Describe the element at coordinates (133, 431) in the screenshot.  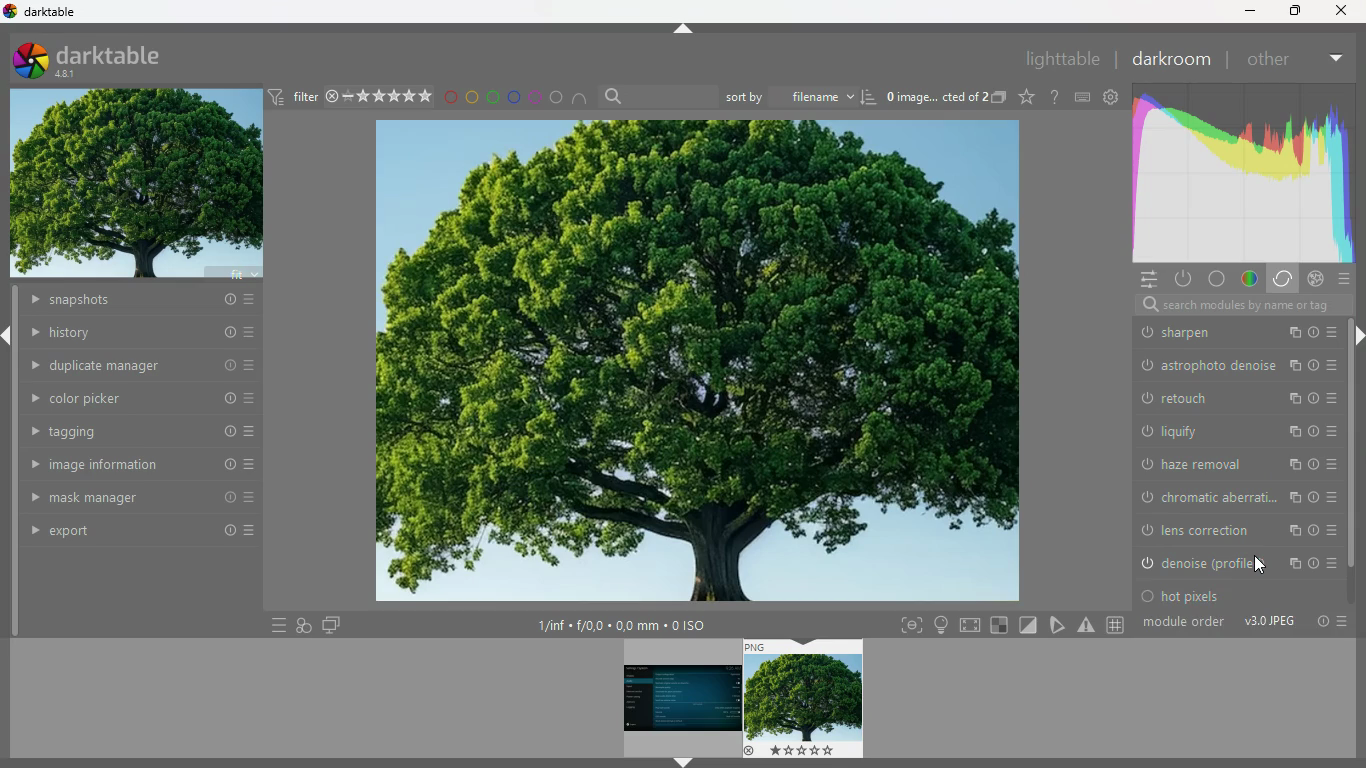
I see `tagging` at that location.